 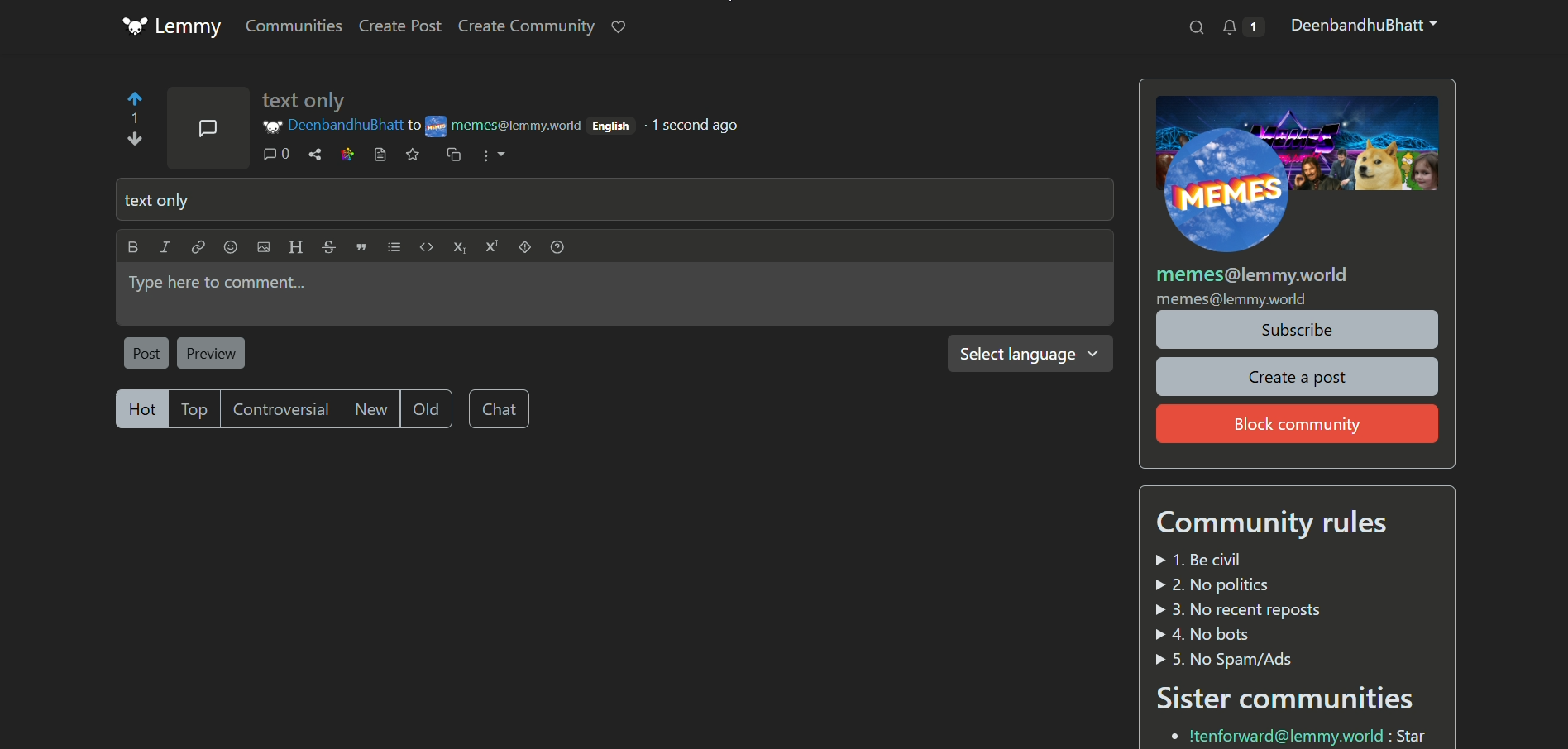 I want to click on profile name, so click(x=343, y=126).